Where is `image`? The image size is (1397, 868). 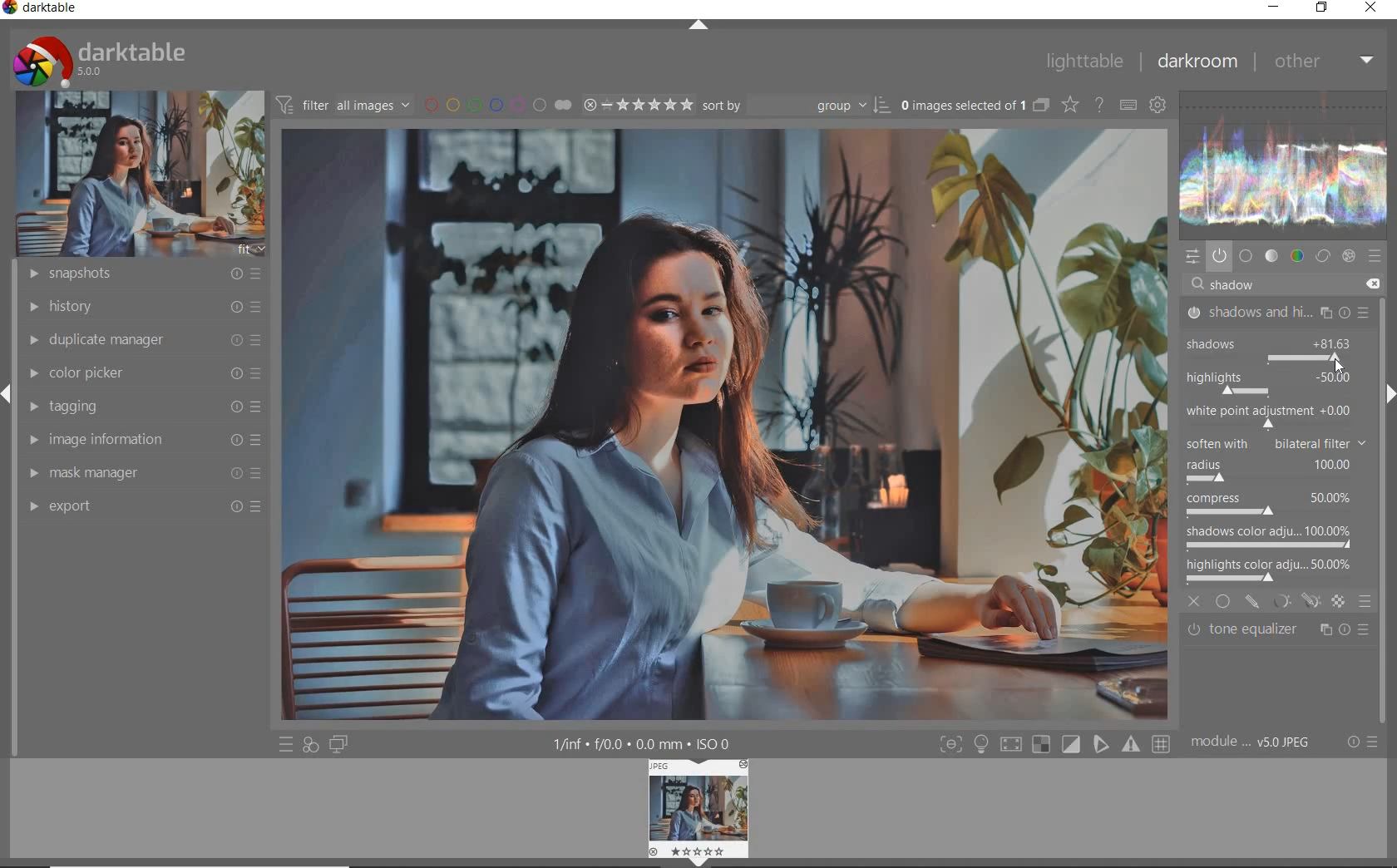
image is located at coordinates (134, 175).